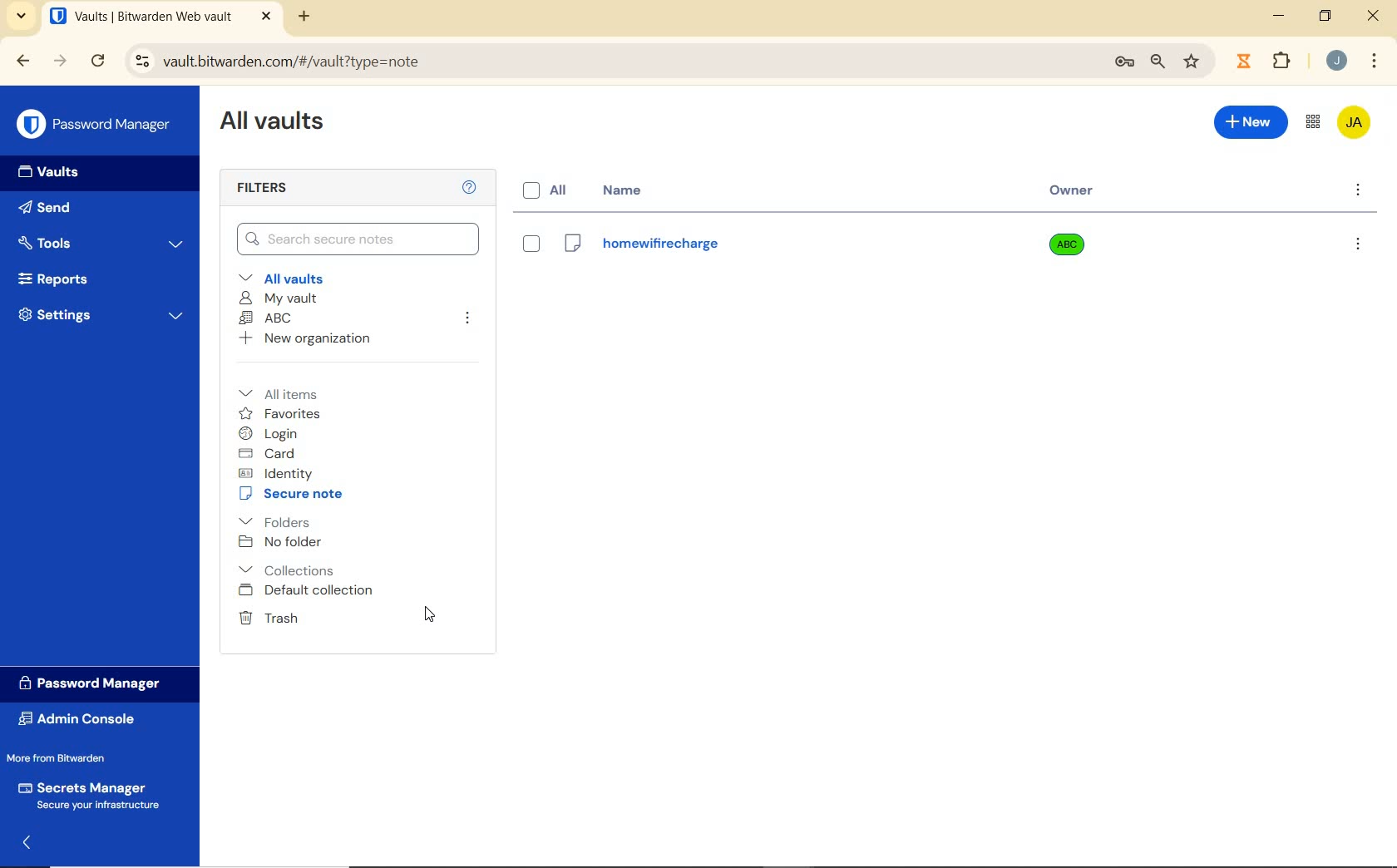 The width and height of the screenshot is (1397, 868). I want to click on New, so click(1251, 126).